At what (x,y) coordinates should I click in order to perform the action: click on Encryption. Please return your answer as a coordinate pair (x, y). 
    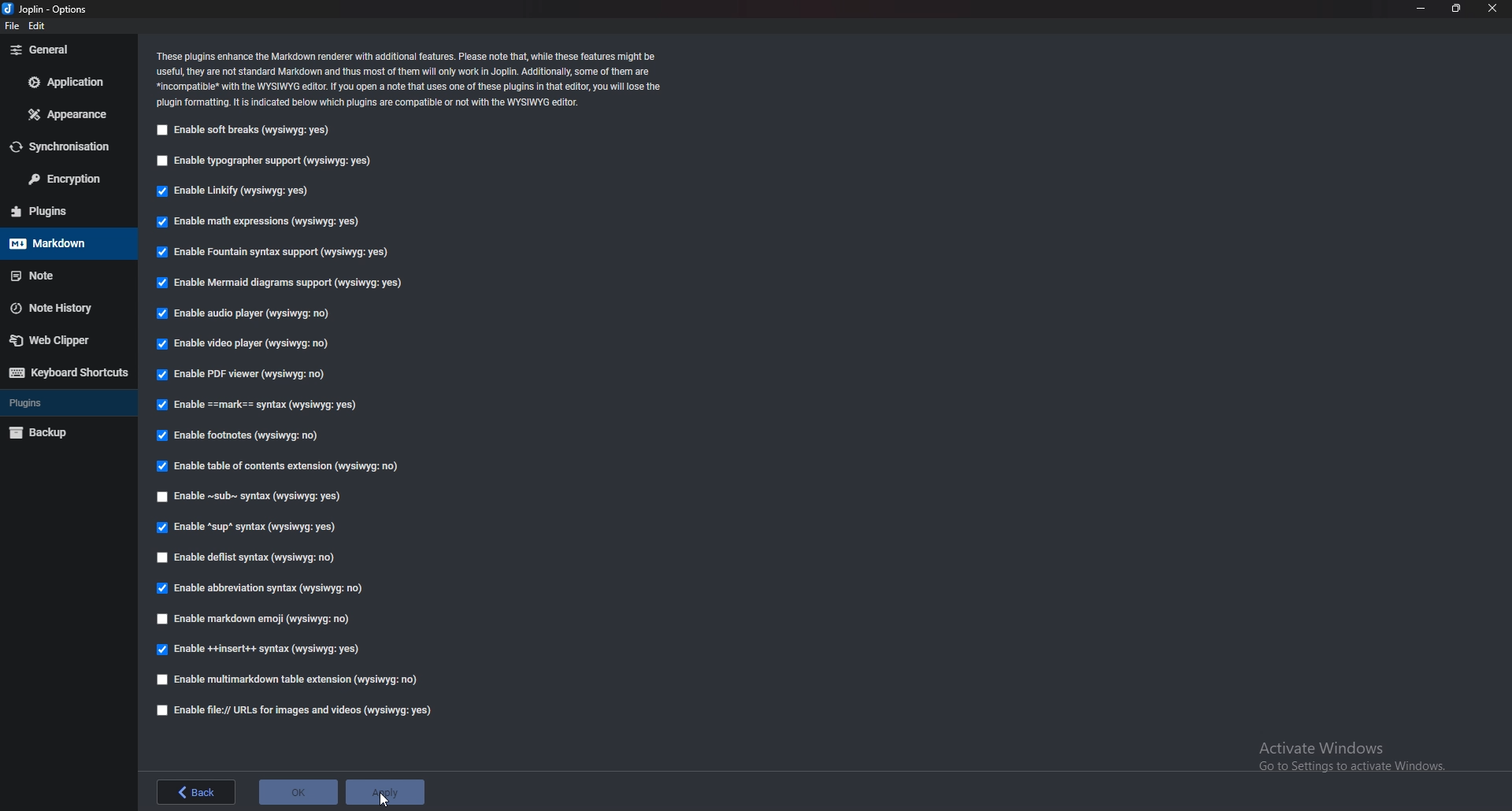
    Looking at the image, I should click on (68, 180).